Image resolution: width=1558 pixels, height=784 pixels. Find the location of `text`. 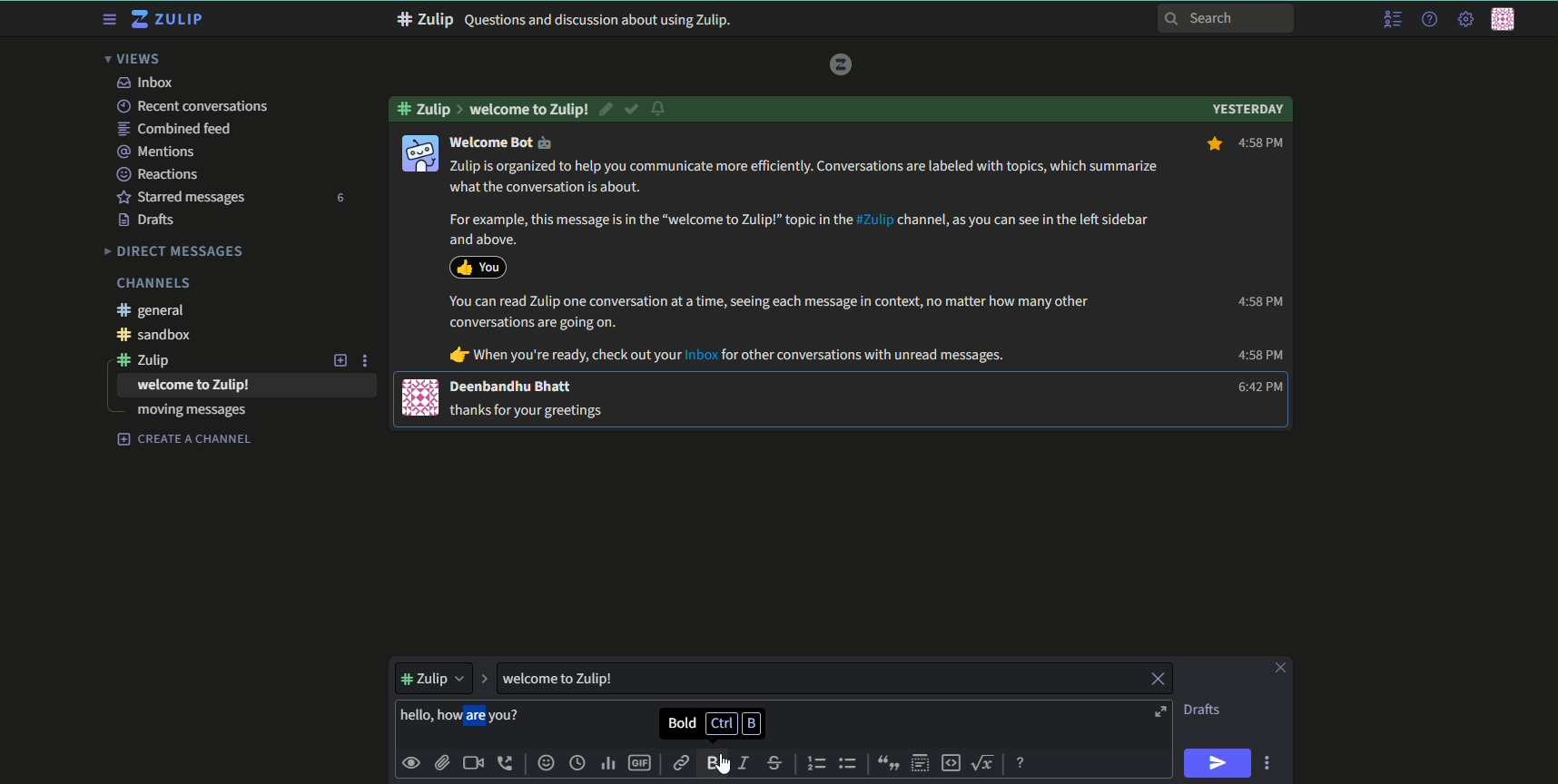

text is located at coordinates (717, 723).